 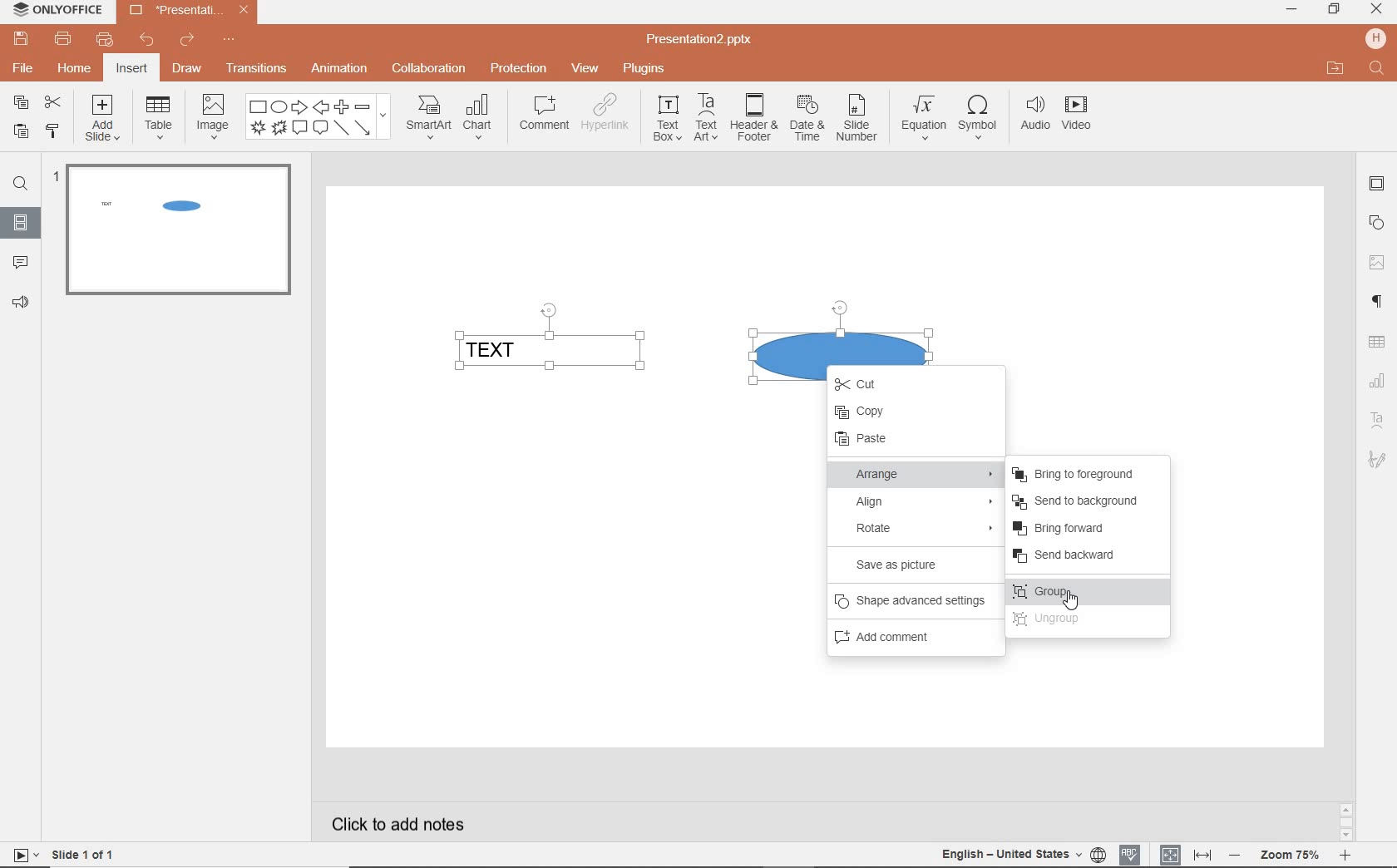 What do you see at coordinates (1032, 117) in the screenshot?
I see `audio` at bounding box center [1032, 117].